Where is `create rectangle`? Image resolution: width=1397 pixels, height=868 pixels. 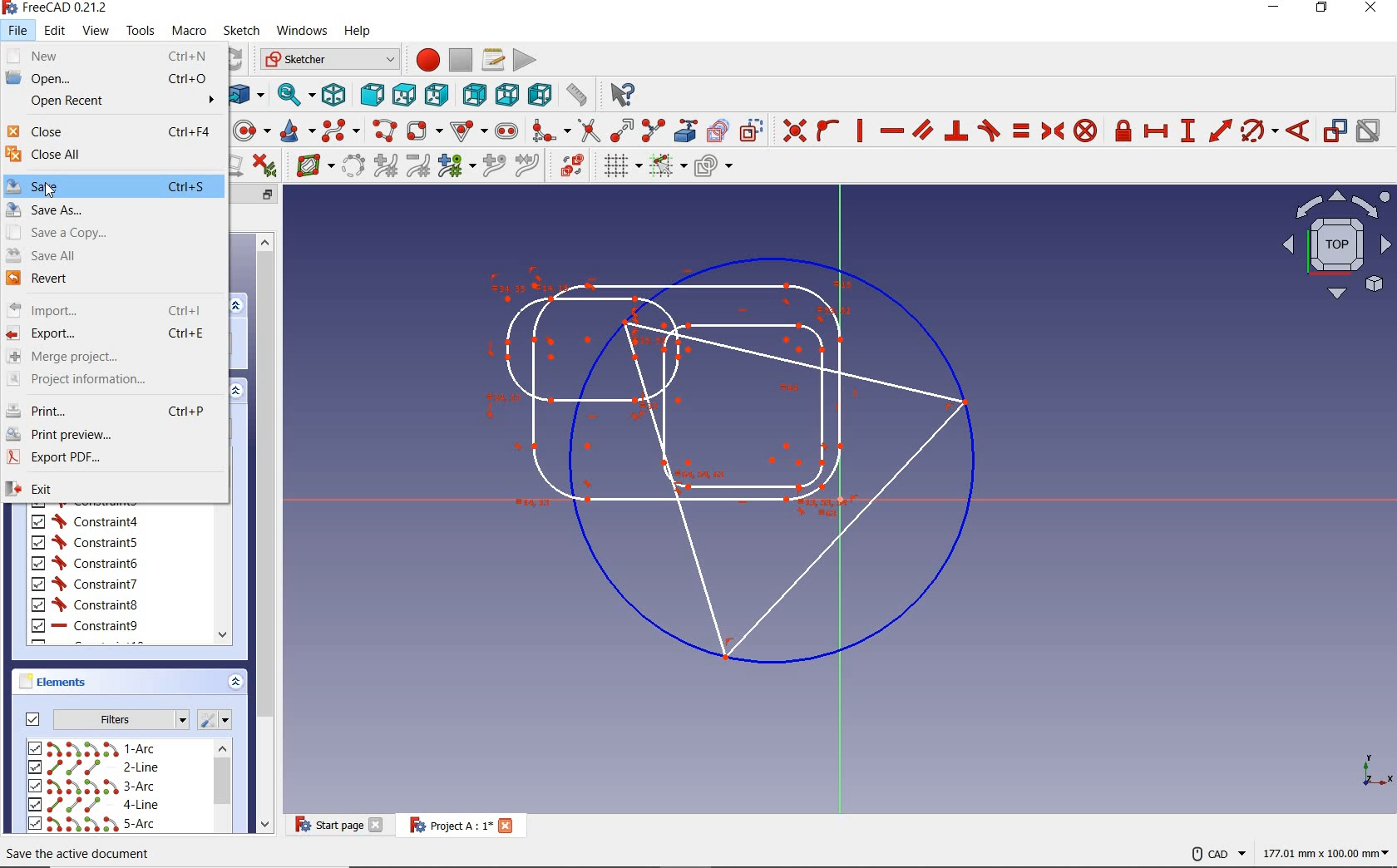
create rectangle is located at coordinates (423, 130).